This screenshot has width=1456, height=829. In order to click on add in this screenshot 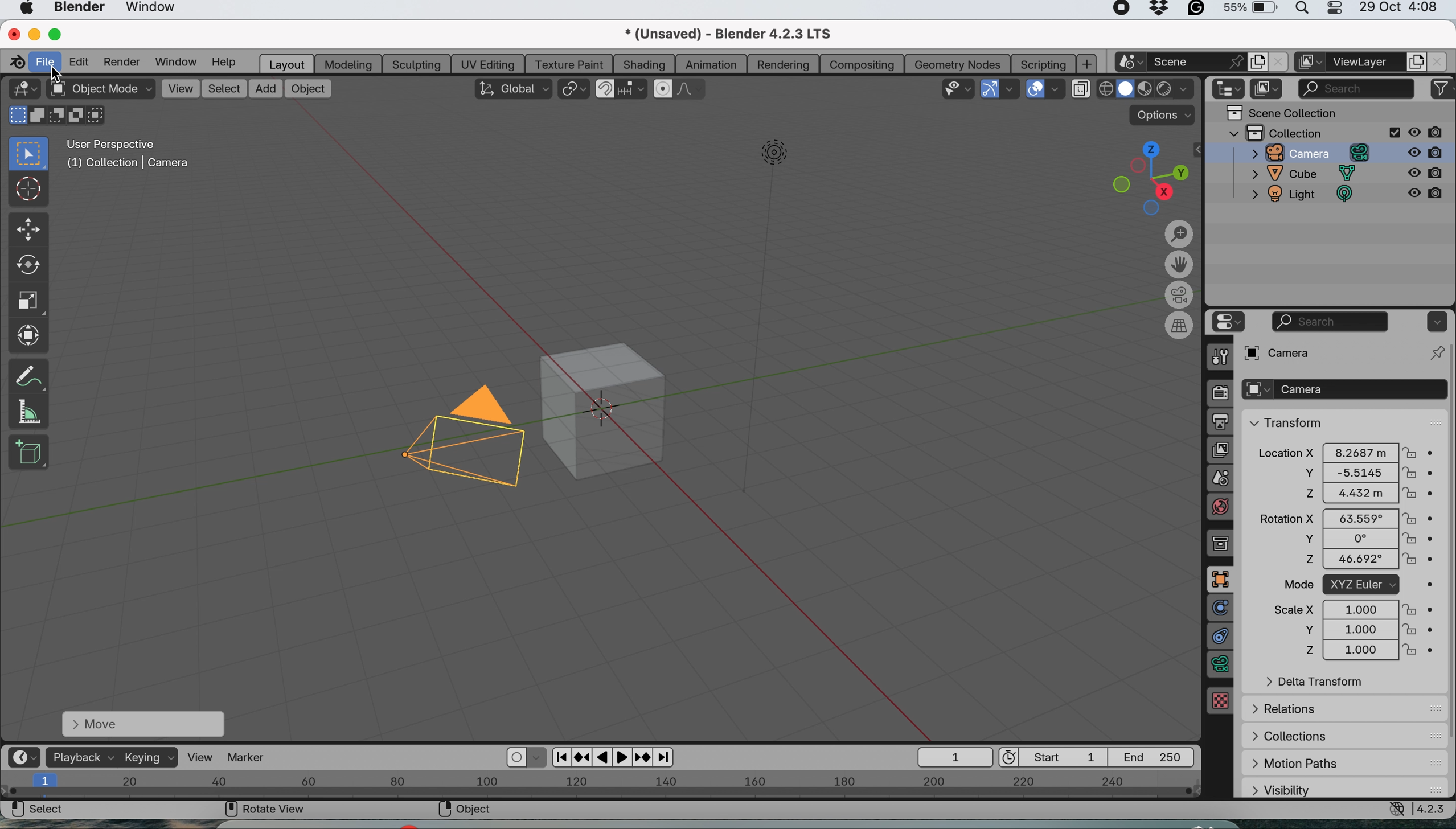, I will do `click(1088, 64)`.